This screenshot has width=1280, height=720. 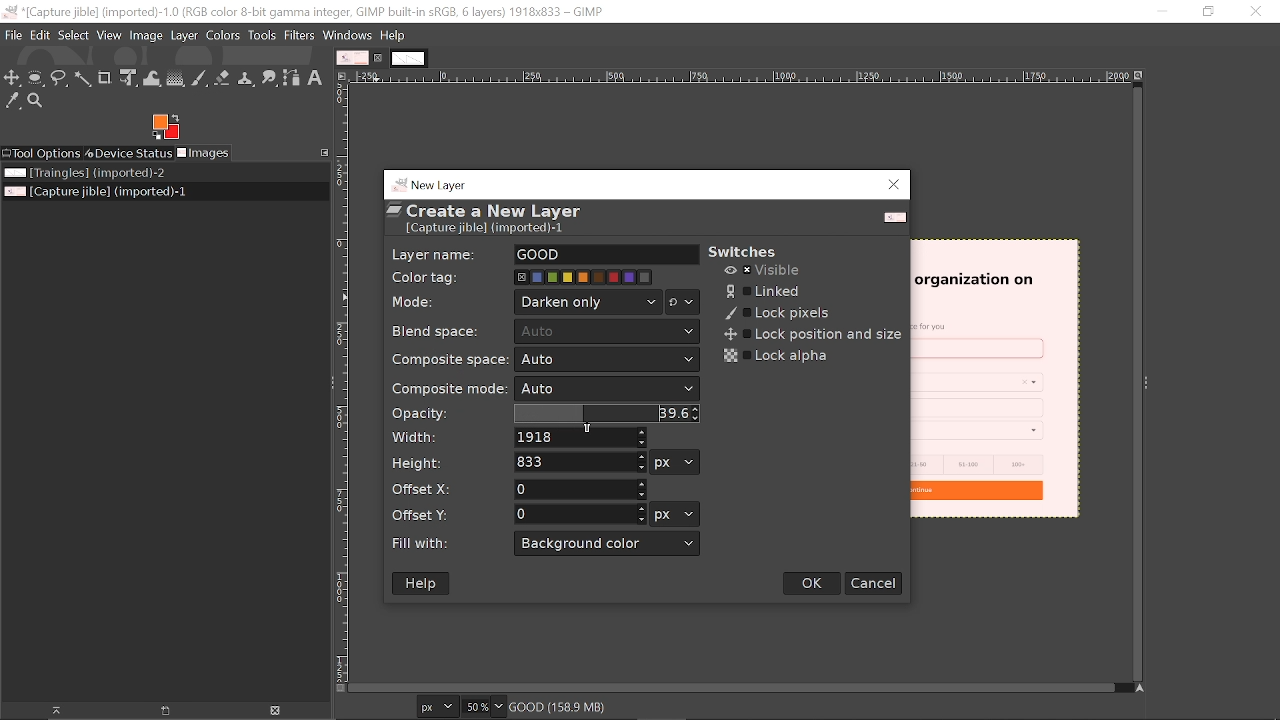 I want to click on Close current tab, so click(x=381, y=59).